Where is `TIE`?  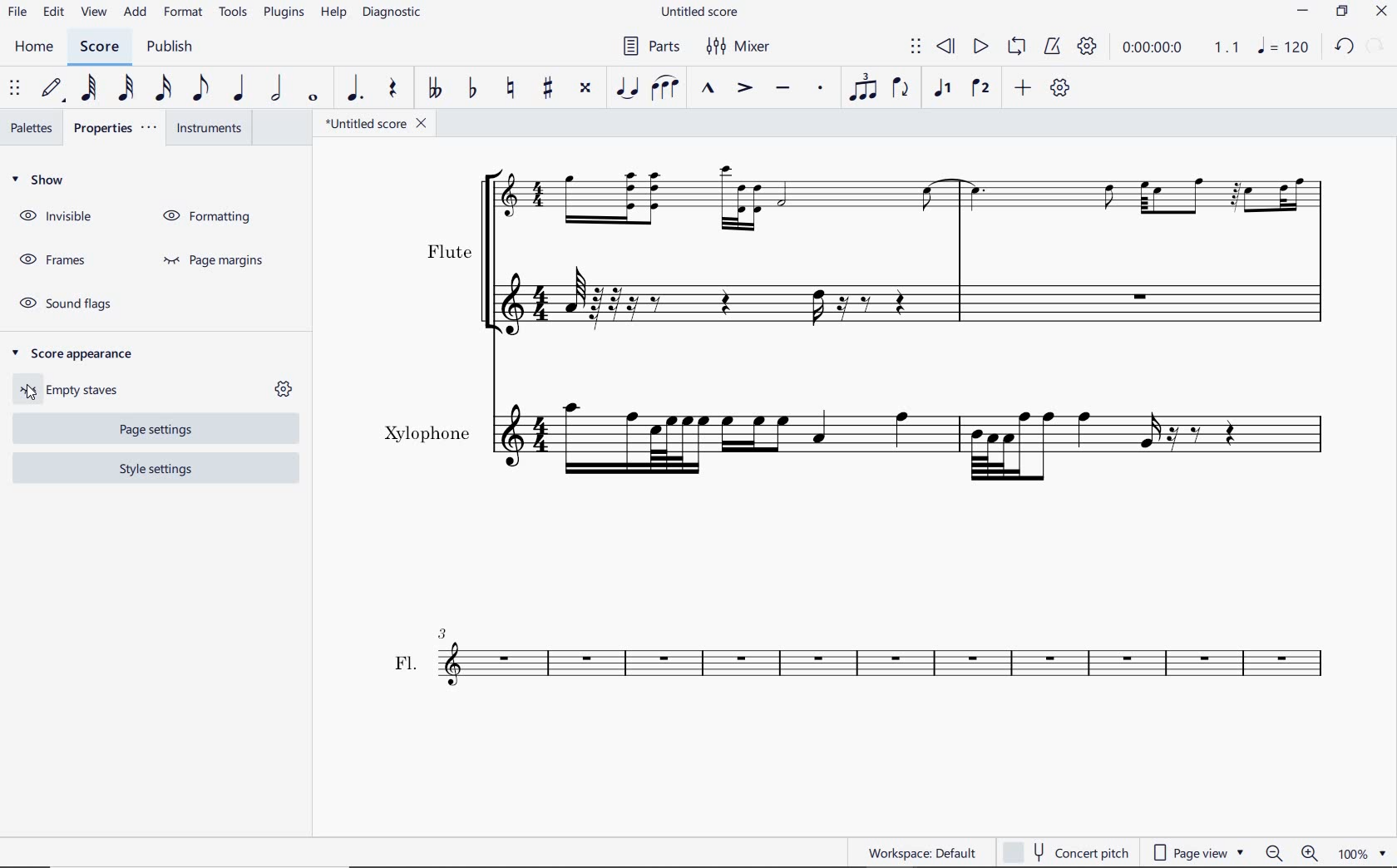
TIE is located at coordinates (628, 88).